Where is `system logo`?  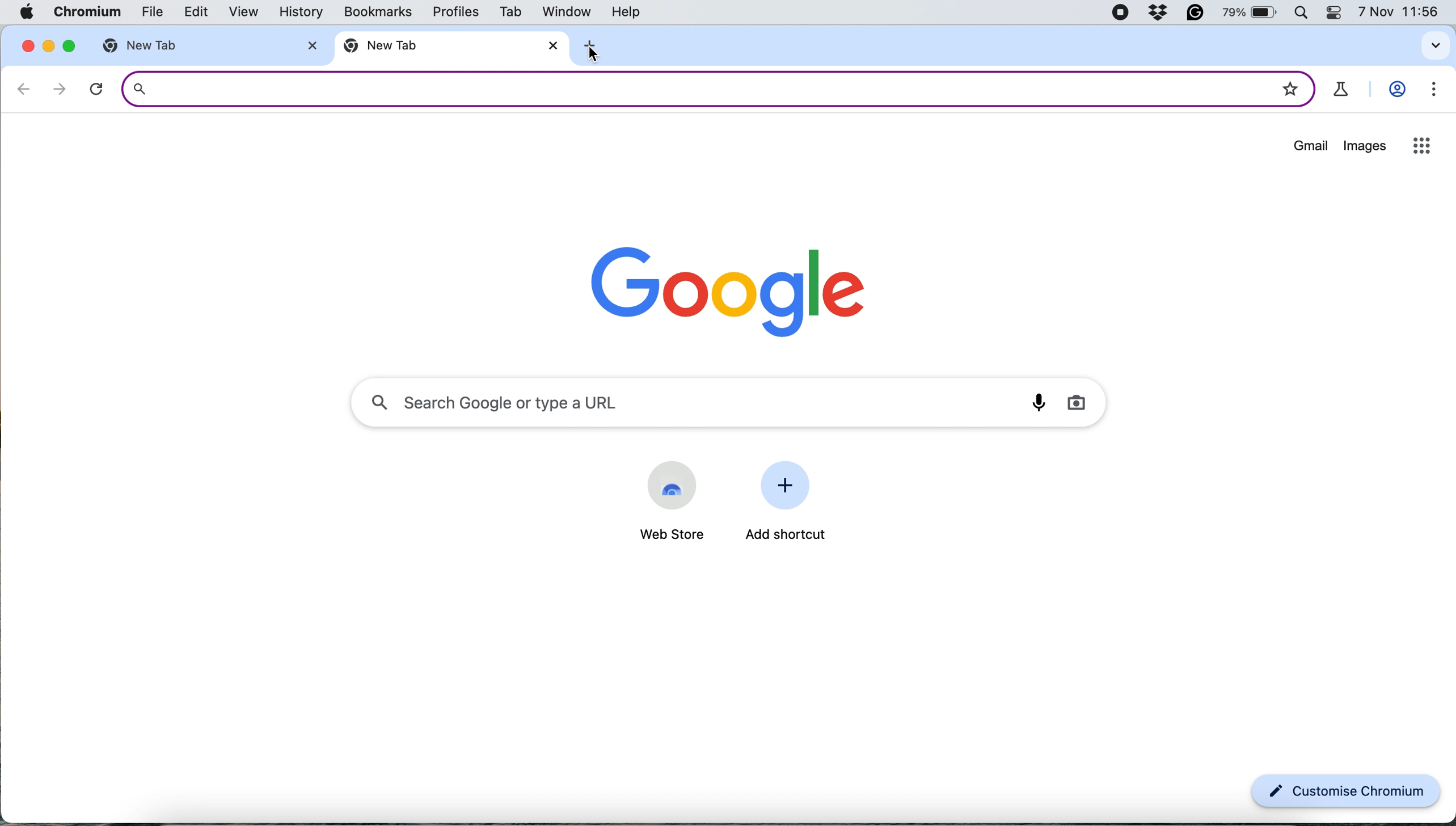
system logo is located at coordinates (31, 11).